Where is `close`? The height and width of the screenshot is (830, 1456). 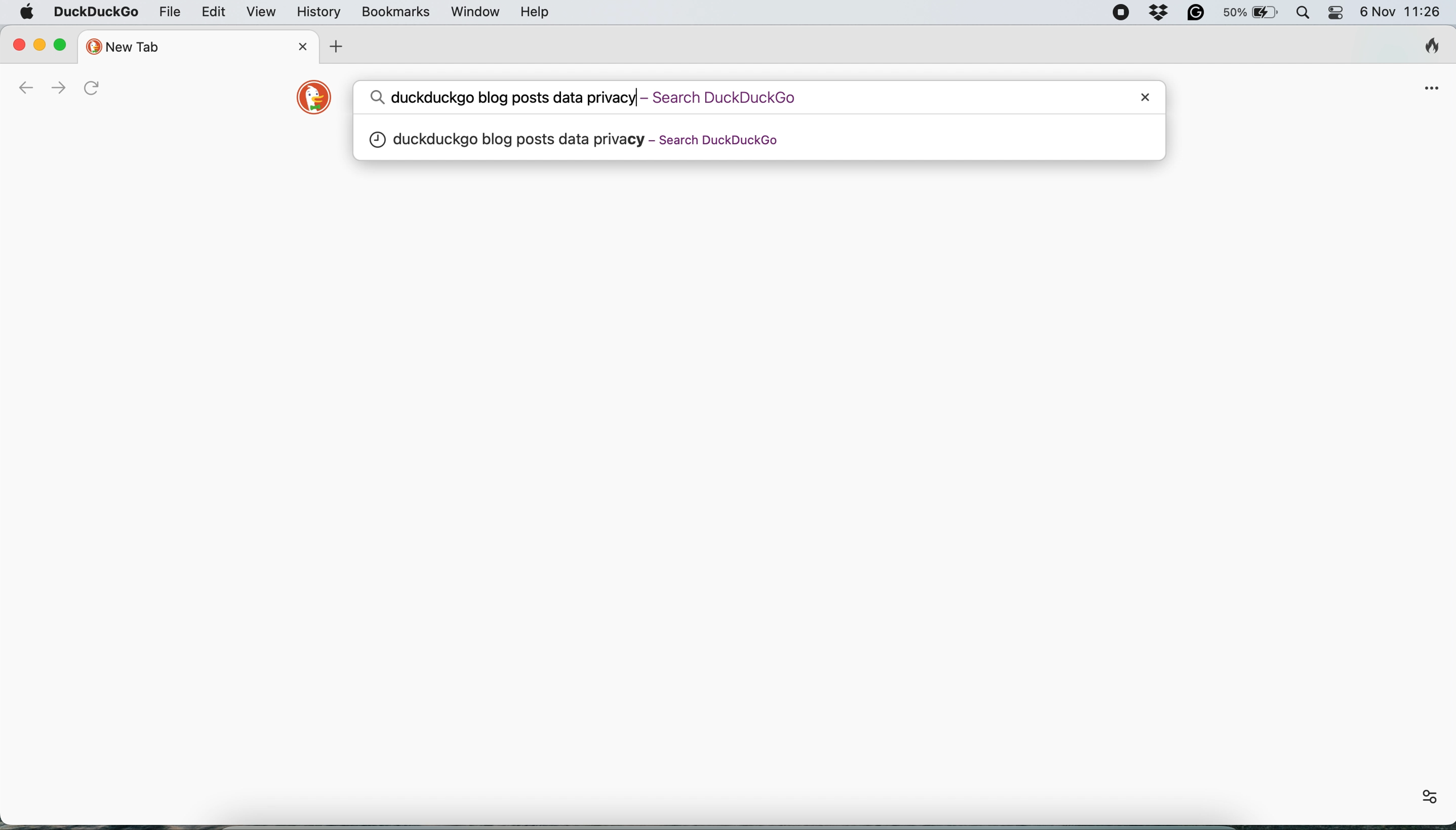
close is located at coordinates (18, 45).